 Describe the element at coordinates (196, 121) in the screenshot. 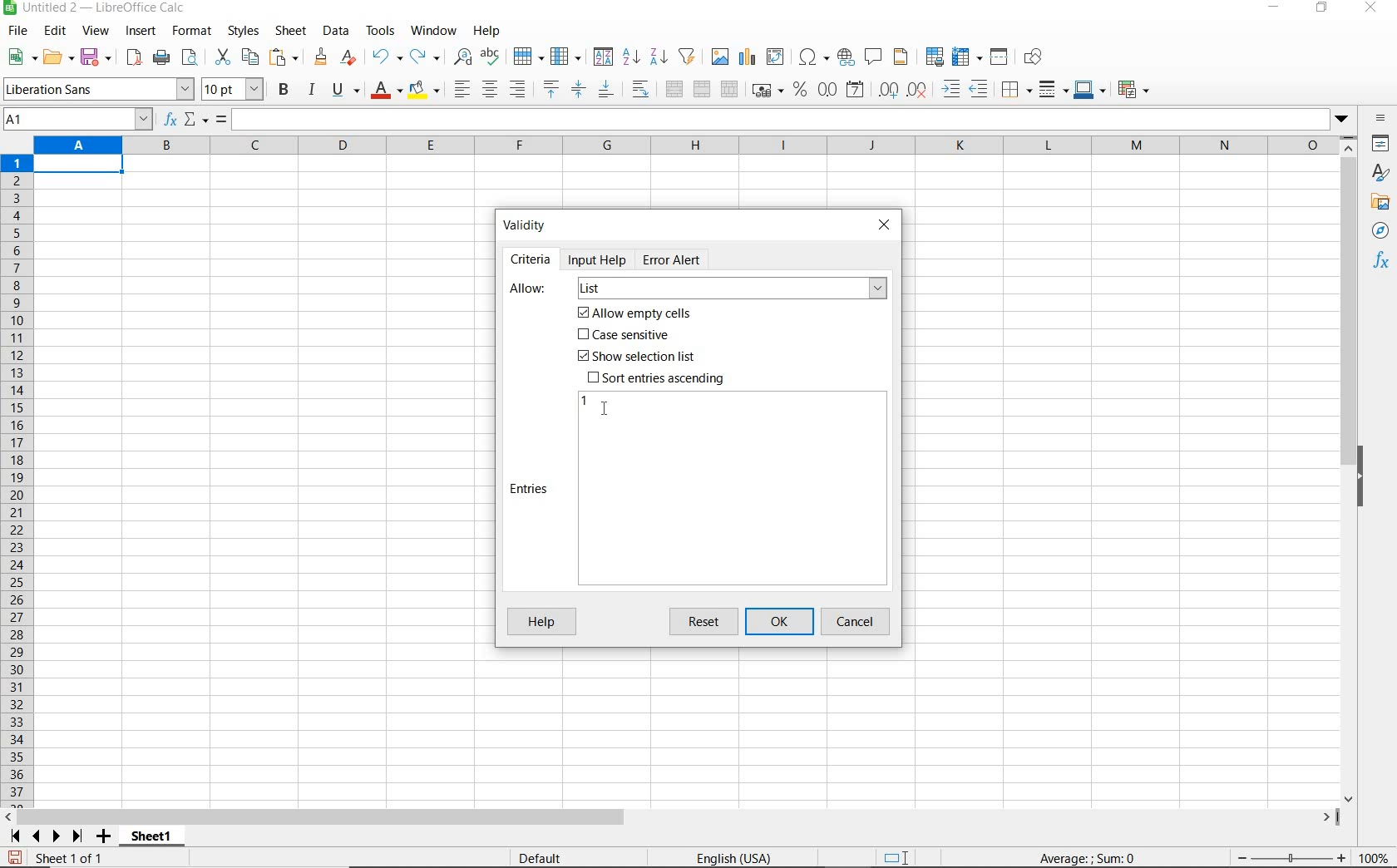

I see `select function` at that location.